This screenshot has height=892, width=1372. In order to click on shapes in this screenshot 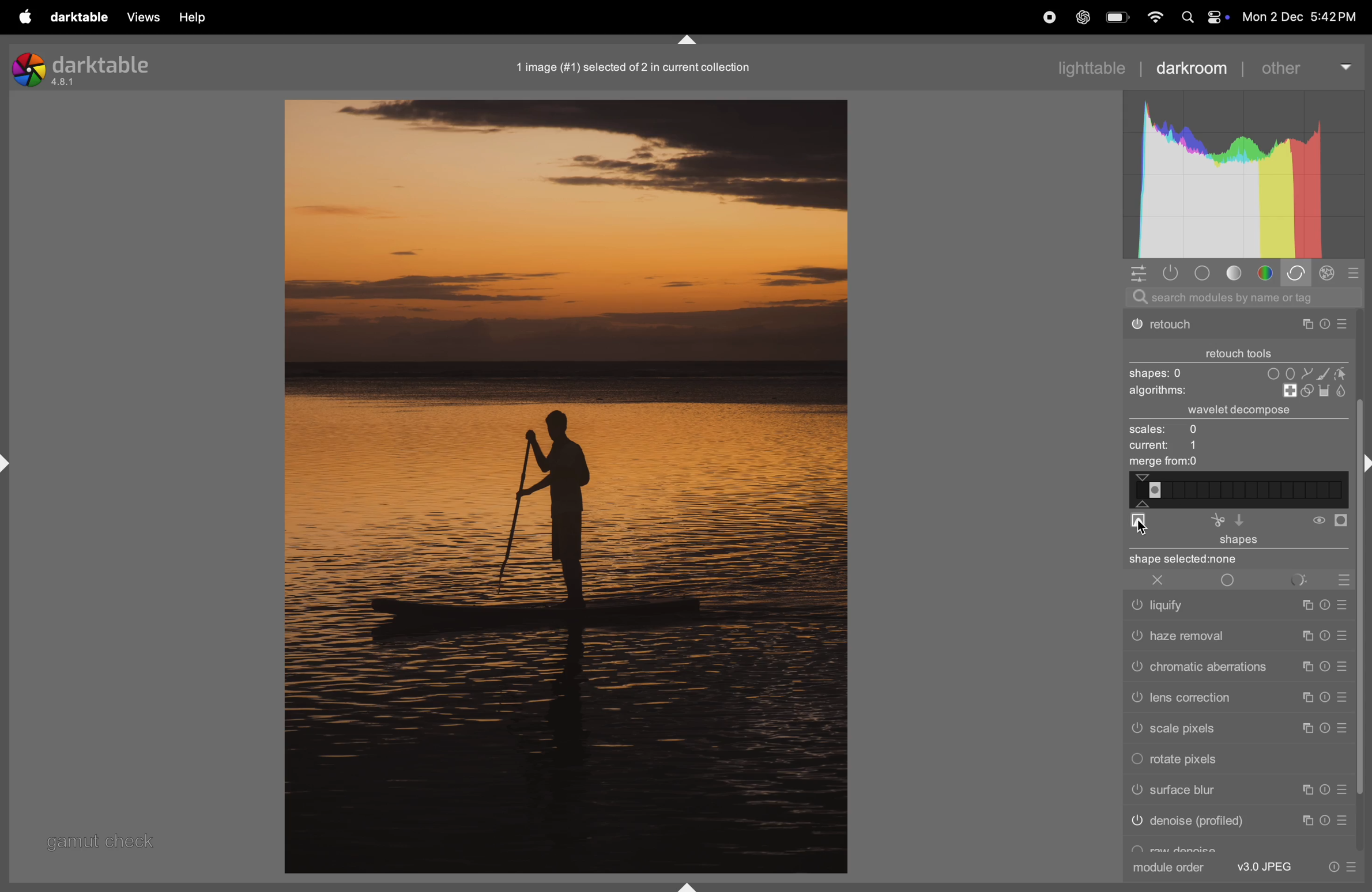, I will do `click(1236, 550)`.